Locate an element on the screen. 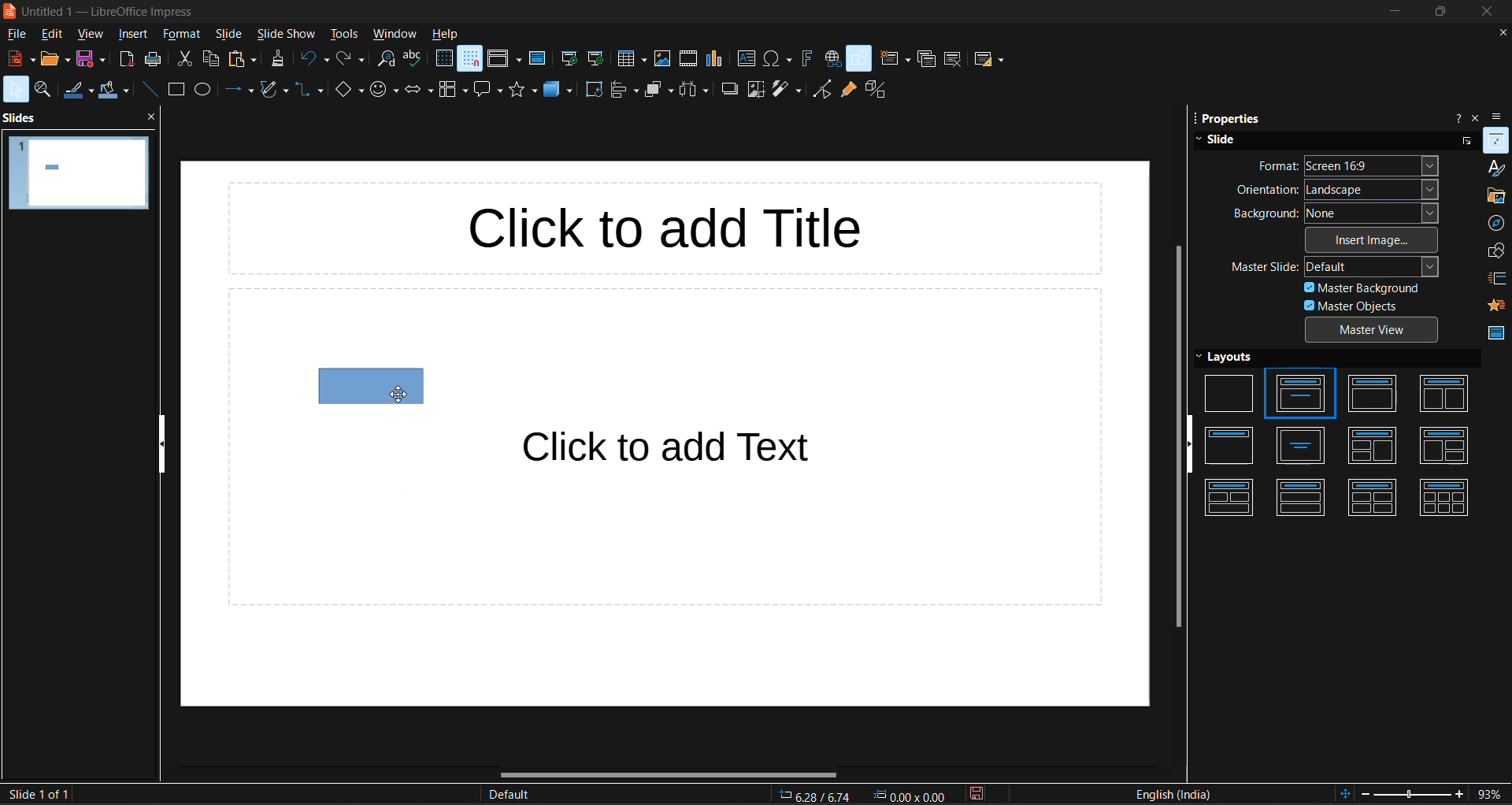  insert table is located at coordinates (630, 61).